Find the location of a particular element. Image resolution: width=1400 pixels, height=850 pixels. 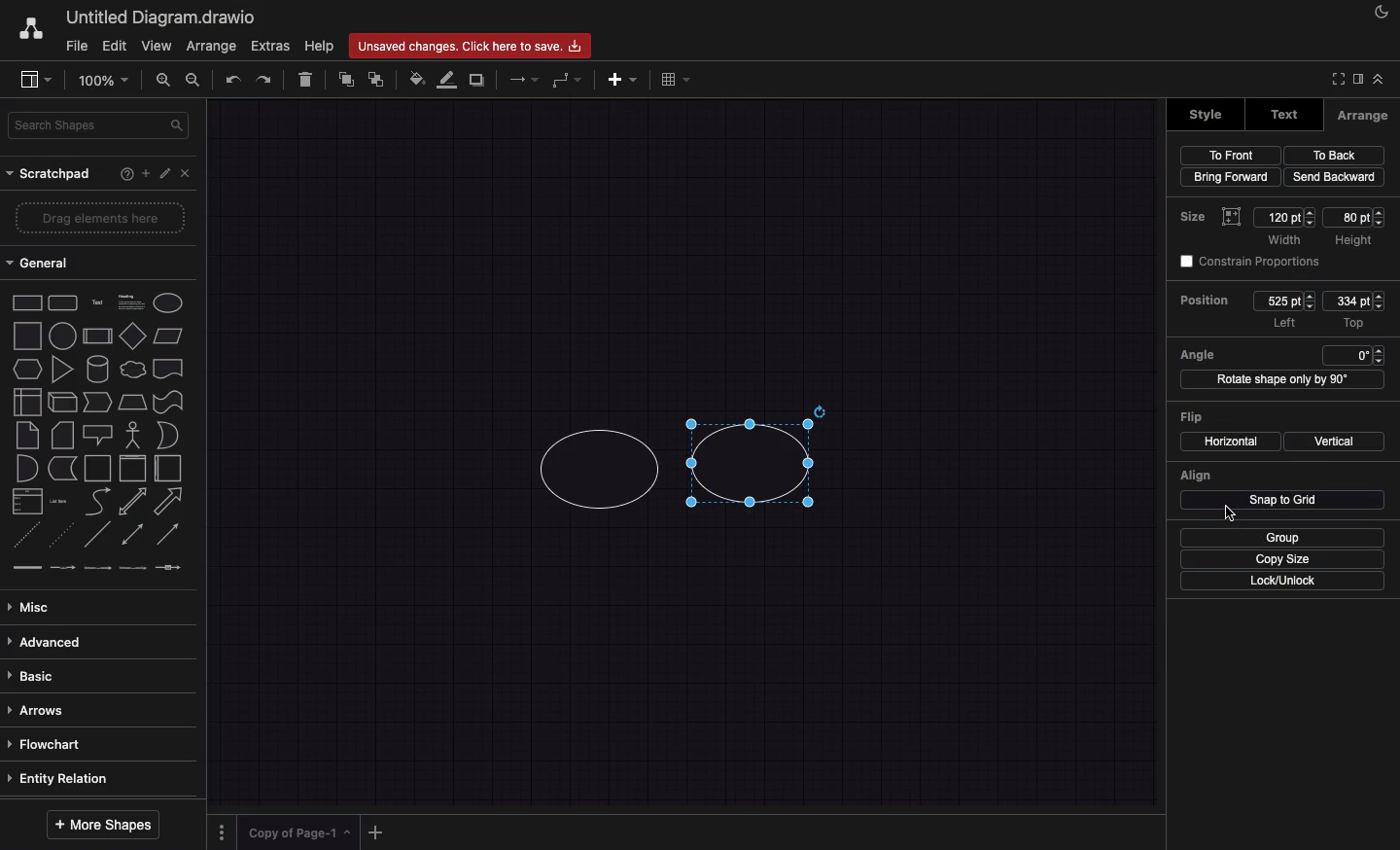

ellipse is located at coordinates (168, 303).